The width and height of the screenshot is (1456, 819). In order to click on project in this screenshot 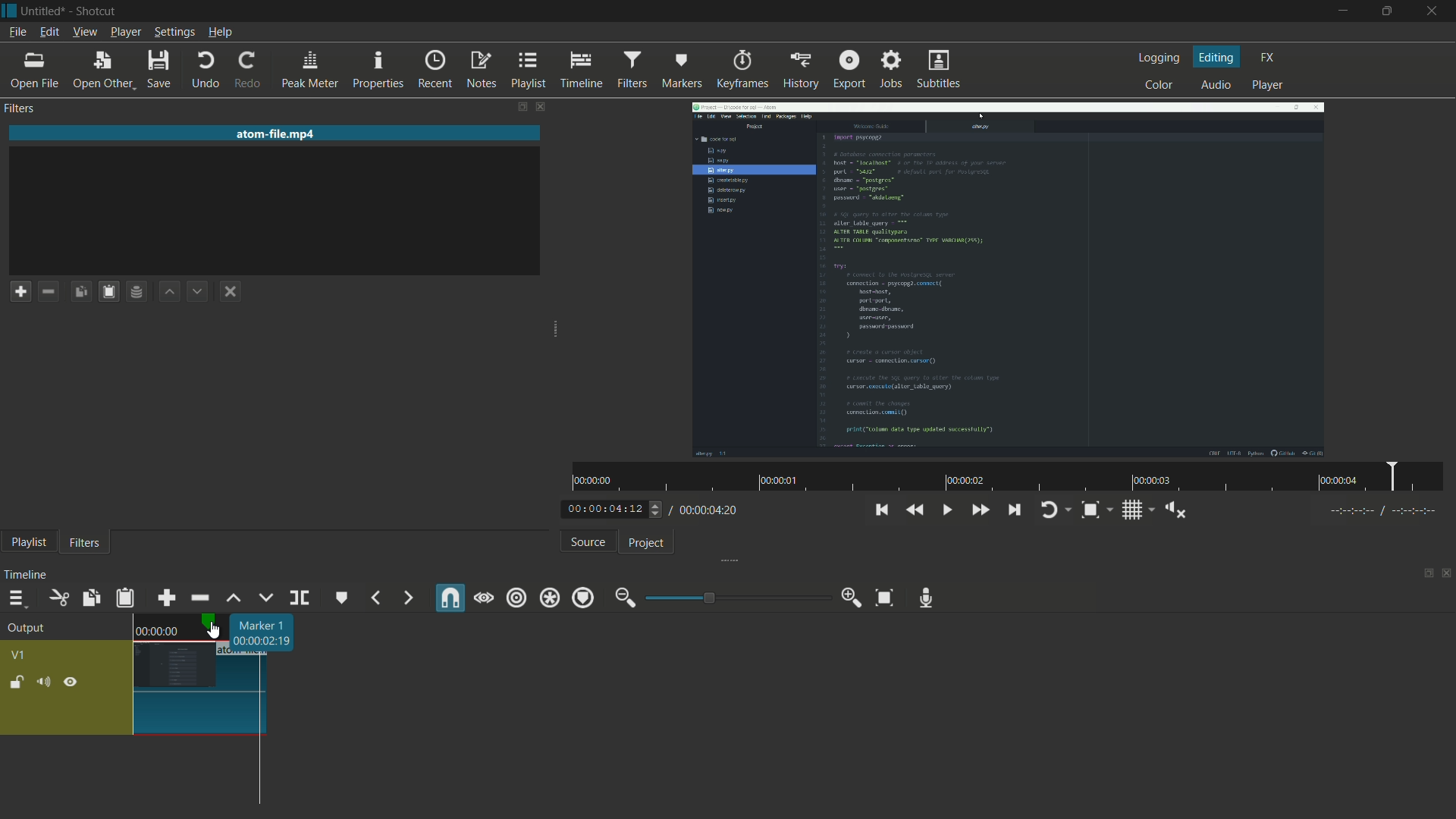, I will do `click(647, 543)`.